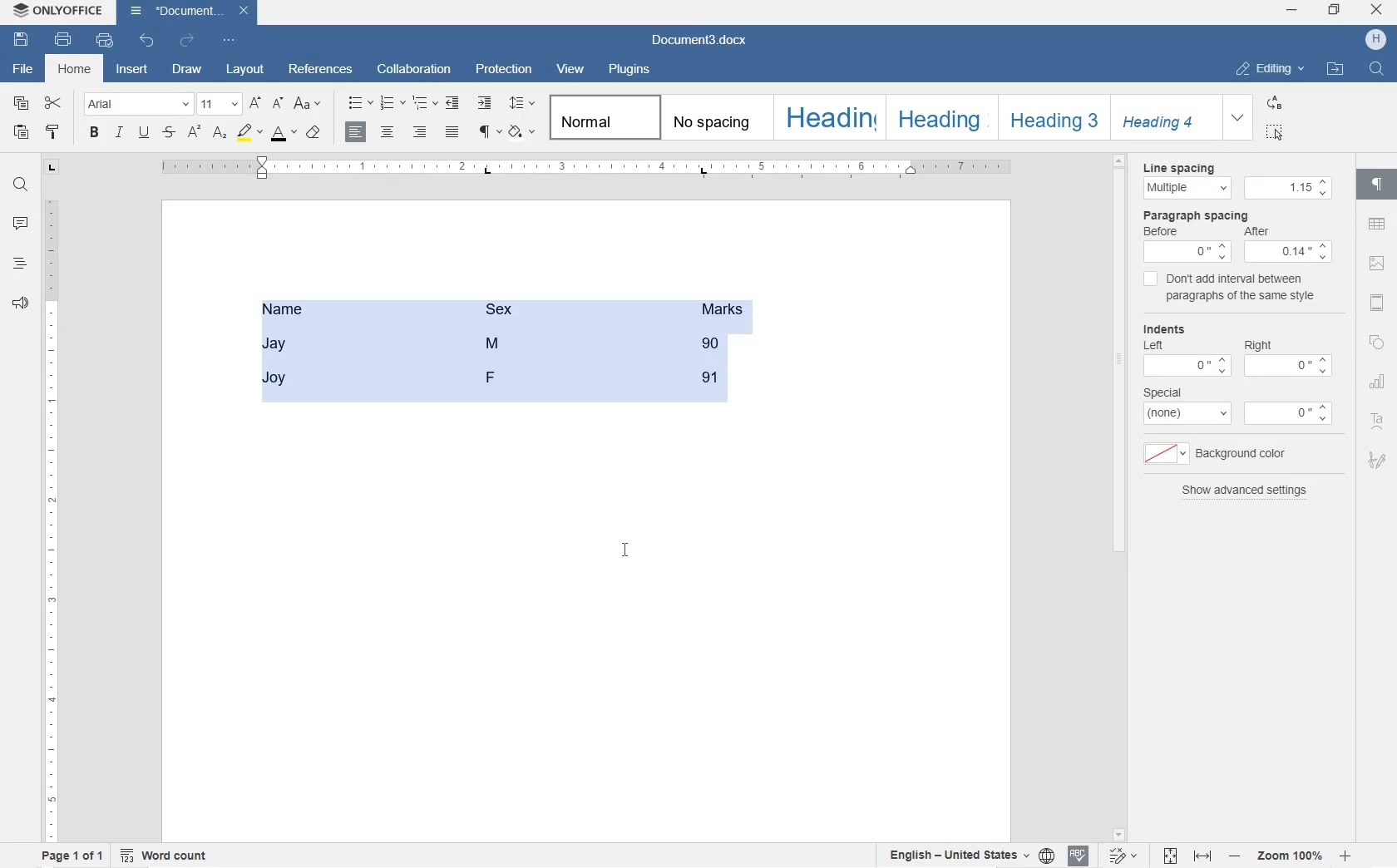 The image size is (1397, 868). Describe the element at coordinates (322, 69) in the screenshot. I see `REFERENCES` at that location.